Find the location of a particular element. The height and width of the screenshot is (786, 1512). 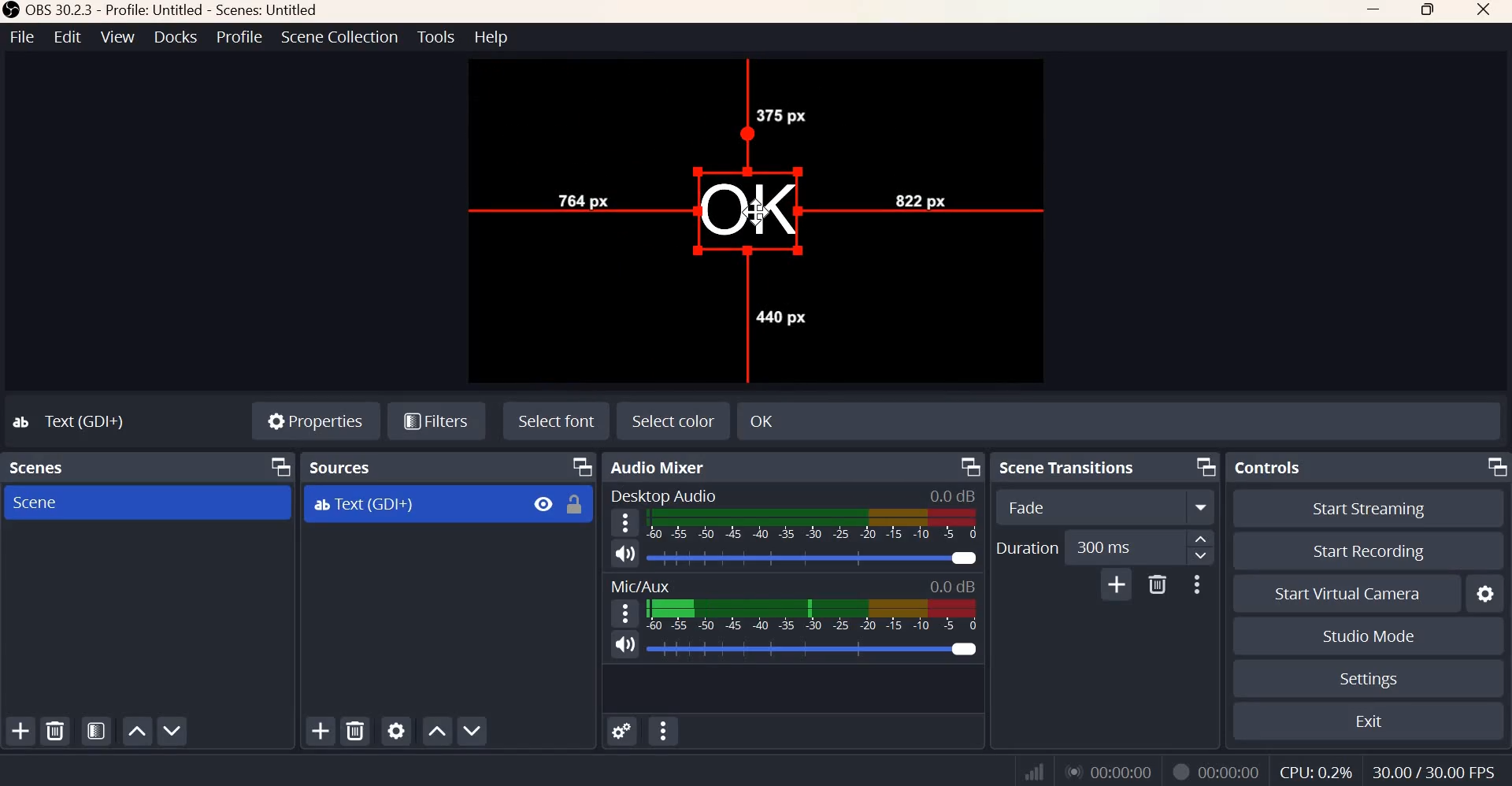

source element OK is located at coordinates (746, 212).